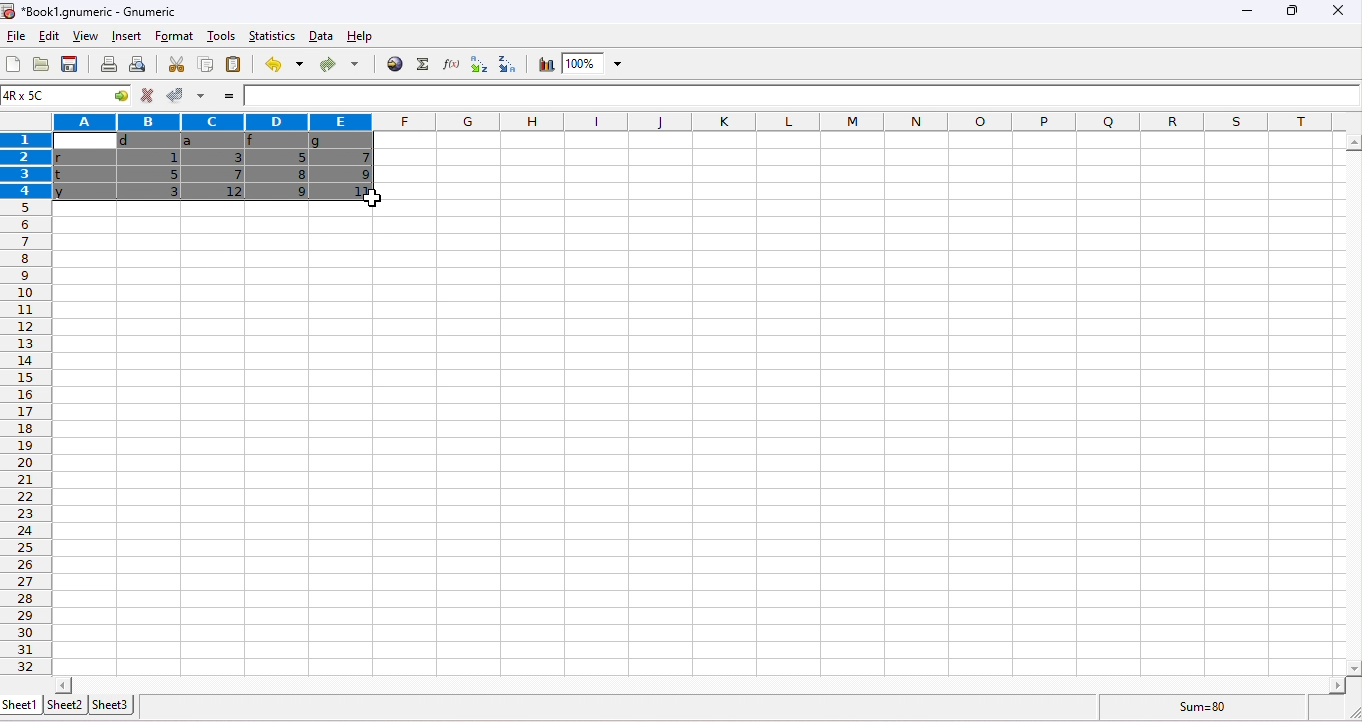 The height and width of the screenshot is (722, 1362). Describe the element at coordinates (202, 95) in the screenshot. I see `accept multiple changes` at that location.